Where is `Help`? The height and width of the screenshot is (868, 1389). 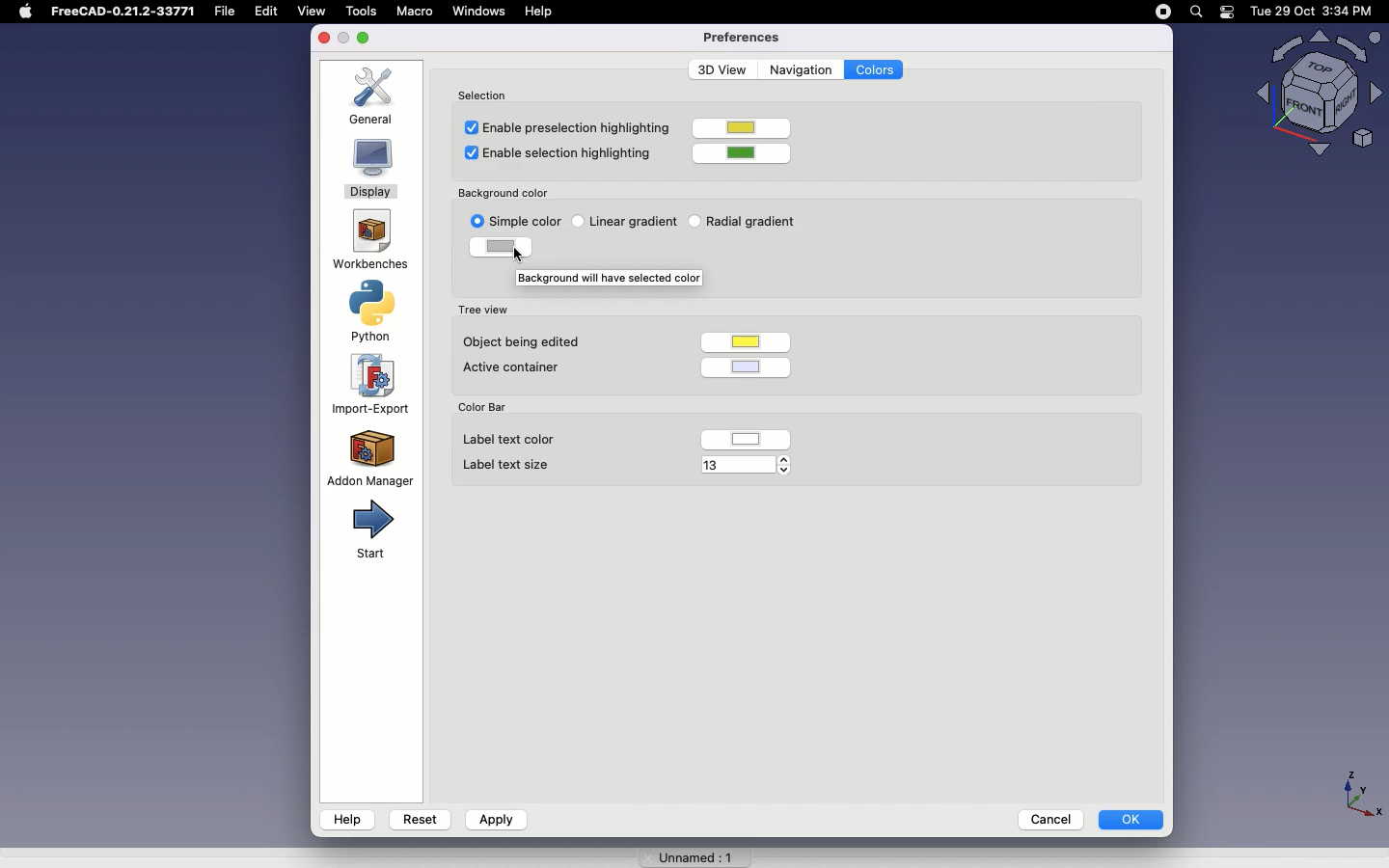 Help is located at coordinates (542, 11).